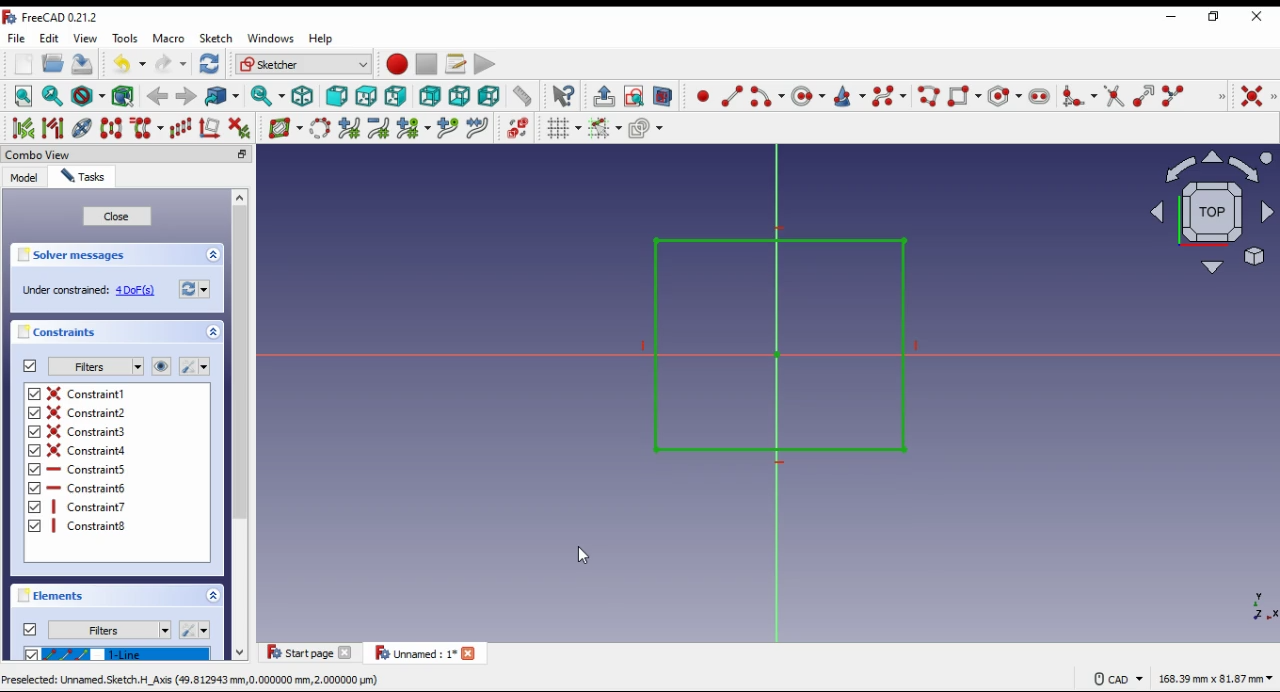 The height and width of the screenshot is (692, 1280). What do you see at coordinates (109, 630) in the screenshot?
I see `filters` at bounding box center [109, 630].